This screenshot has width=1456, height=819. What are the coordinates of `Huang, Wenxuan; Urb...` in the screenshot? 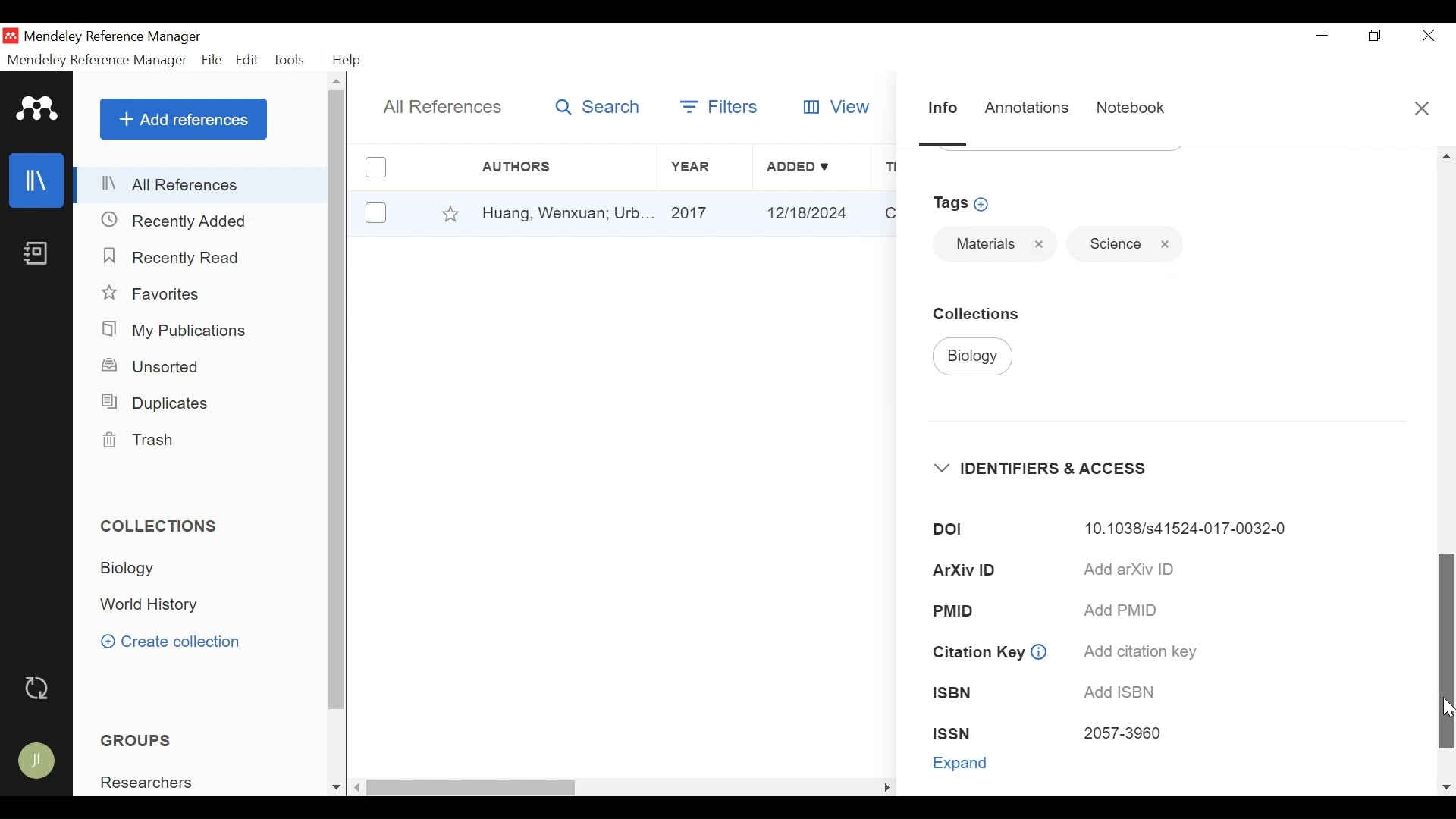 It's located at (567, 214).